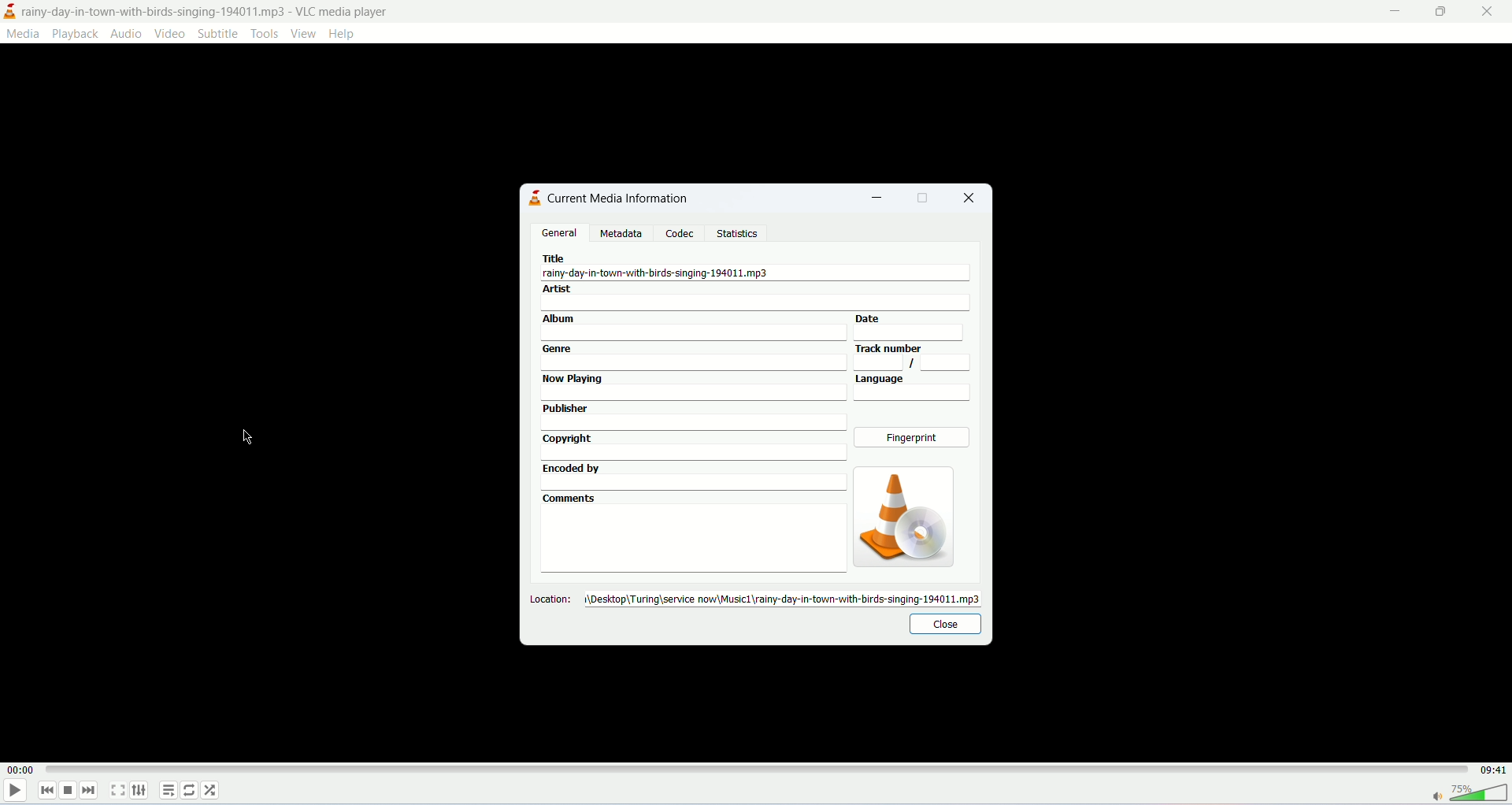 The height and width of the screenshot is (805, 1512). What do you see at coordinates (303, 34) in the screenshot?
I see `view` at bounding box center [303, 34].